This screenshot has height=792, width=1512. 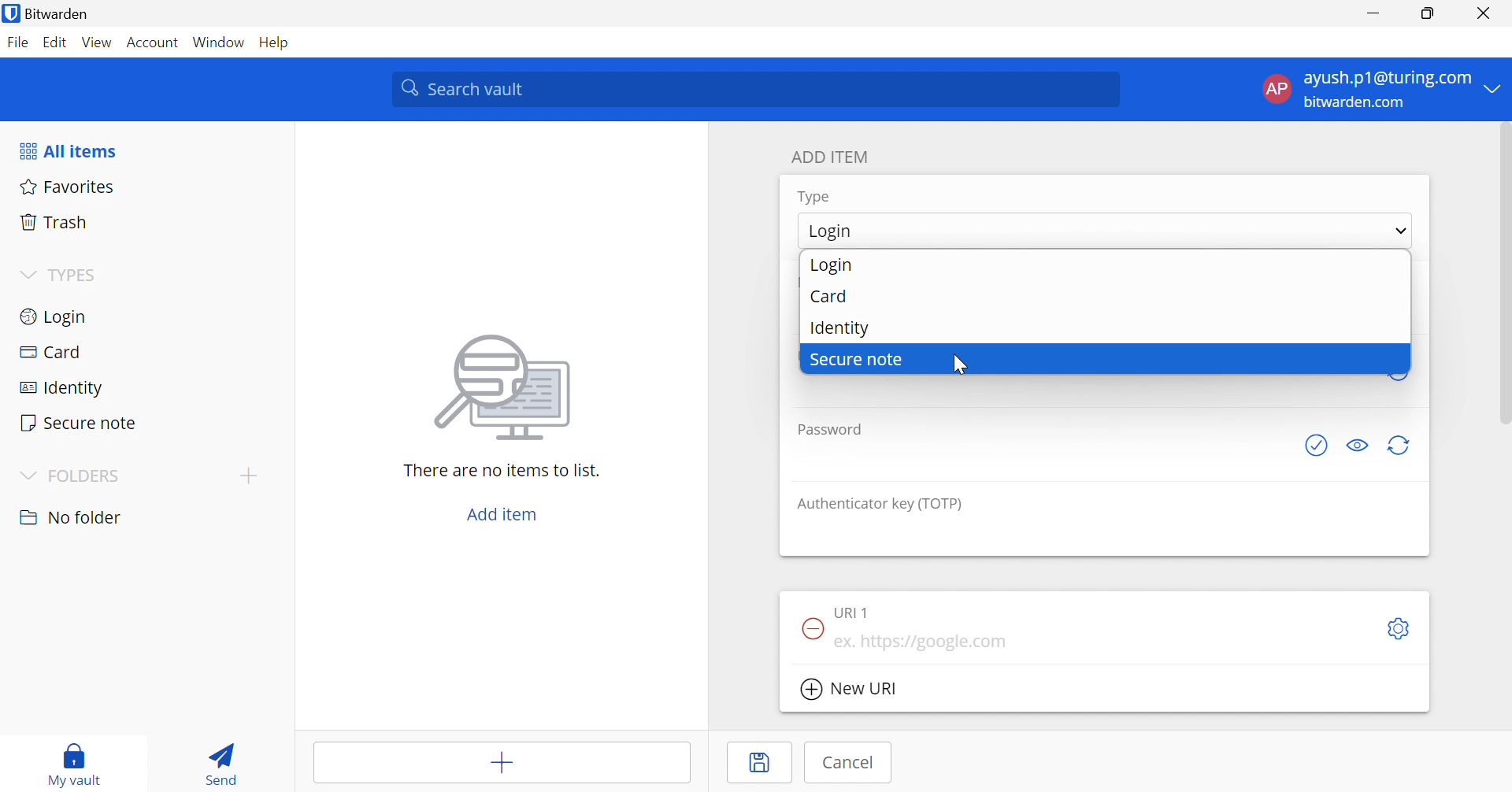 What do you see at coordinates (1080, 392) in the screenshot?
I see `add username` at bounding box center [1080, 392].